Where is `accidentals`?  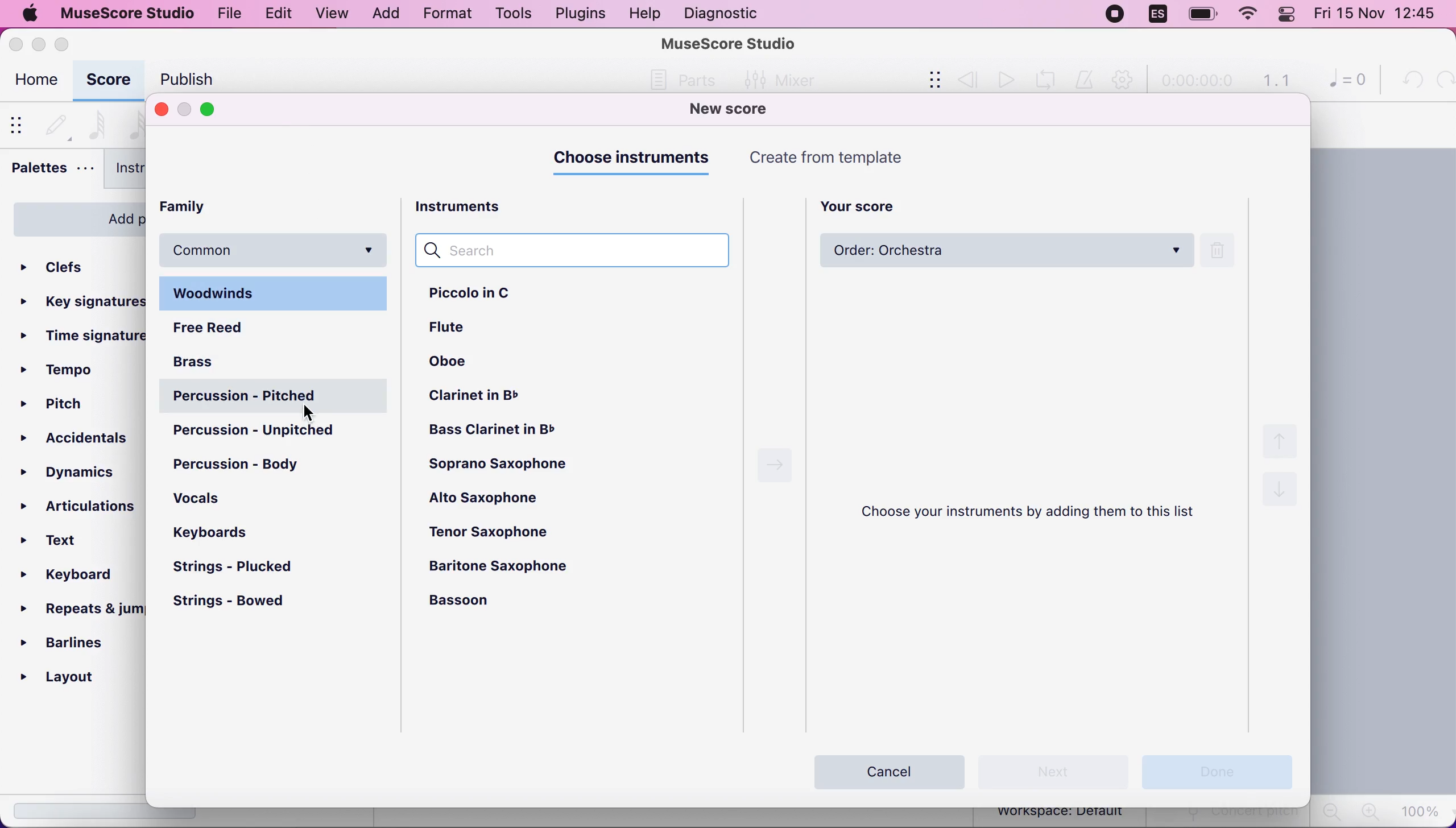 accidentals is located at coordinates (77, 438).